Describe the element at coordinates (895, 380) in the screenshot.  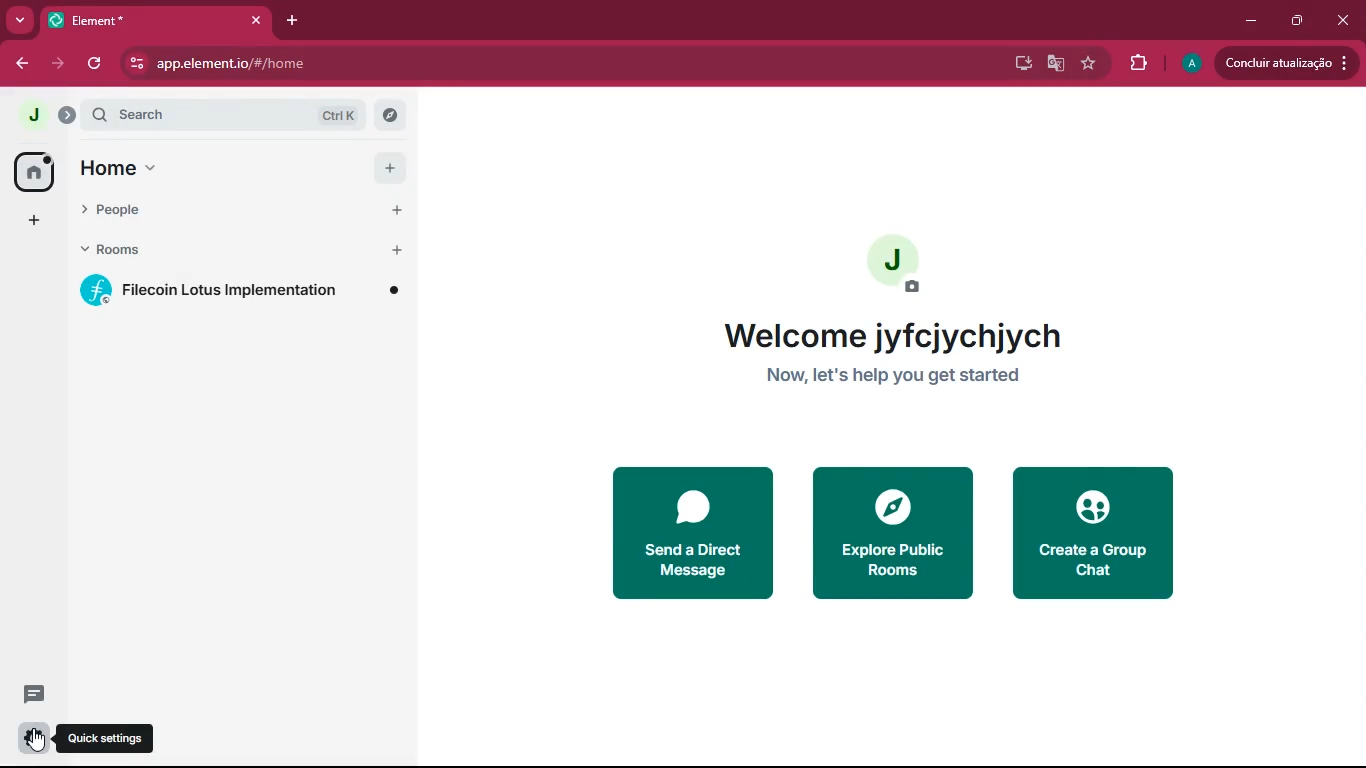
I see `Now, let's help you get started` at that location.